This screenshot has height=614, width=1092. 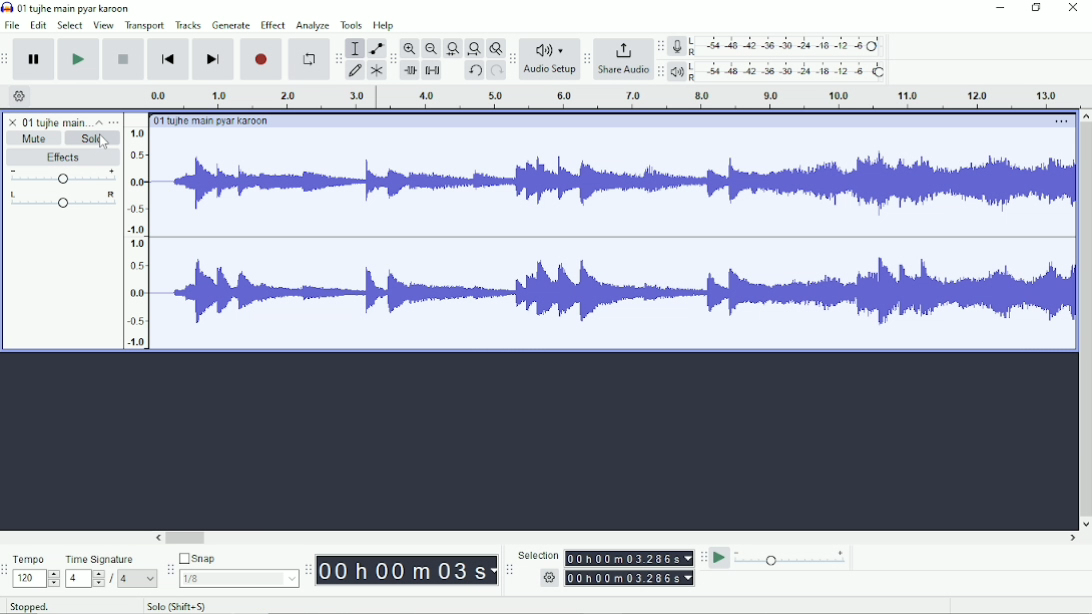 What do you see at coordinates (216, 119) in the screenshot?
I see `Audio title` at bounding box center [216, 119].